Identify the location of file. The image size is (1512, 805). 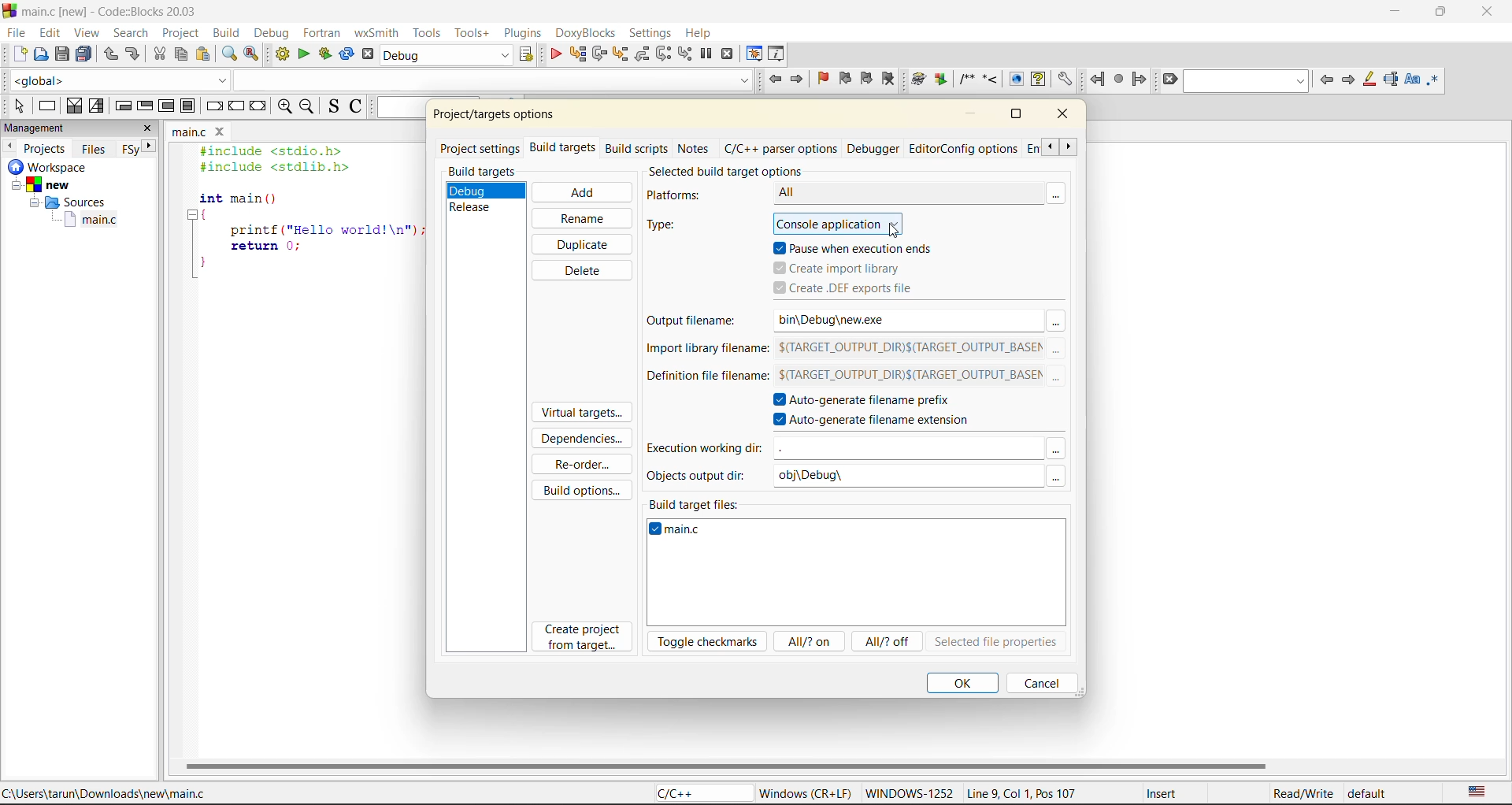
(14, 34).